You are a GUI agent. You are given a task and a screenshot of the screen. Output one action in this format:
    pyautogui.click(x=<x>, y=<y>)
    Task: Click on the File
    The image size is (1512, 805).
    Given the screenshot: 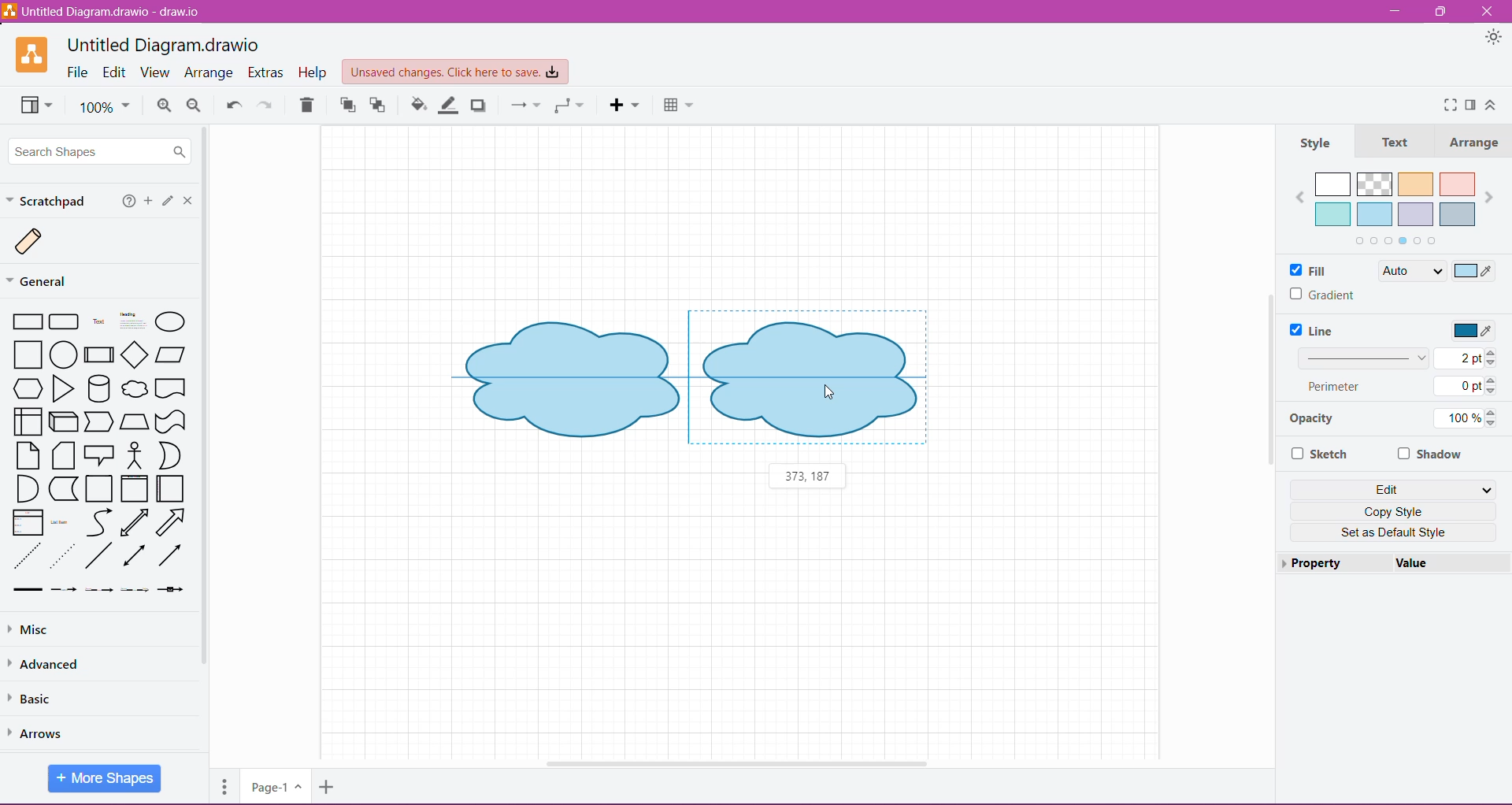 What is the action you would take?
    pyautogui.click(x=76, y=72)
    